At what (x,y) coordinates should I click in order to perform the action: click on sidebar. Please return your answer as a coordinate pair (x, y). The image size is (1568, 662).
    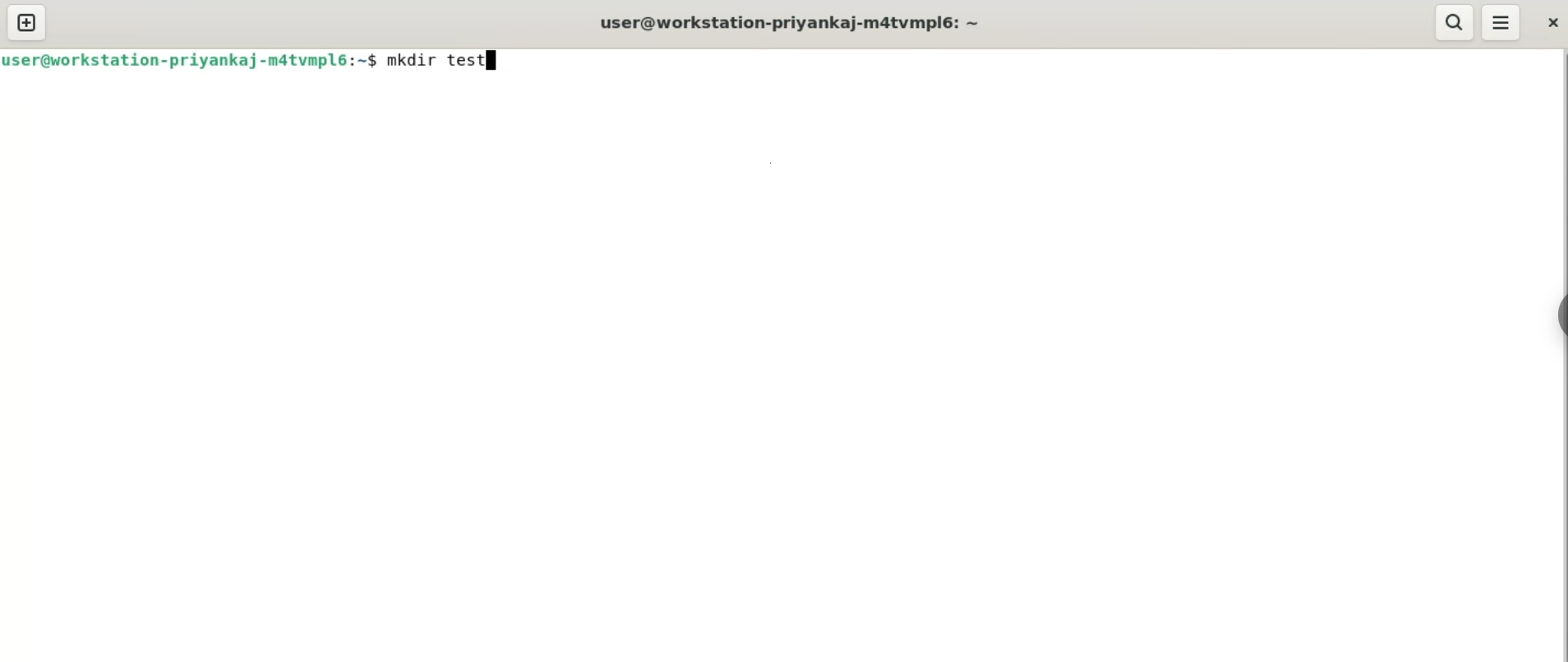
    Looking at the image, I should click on (1560, 317).